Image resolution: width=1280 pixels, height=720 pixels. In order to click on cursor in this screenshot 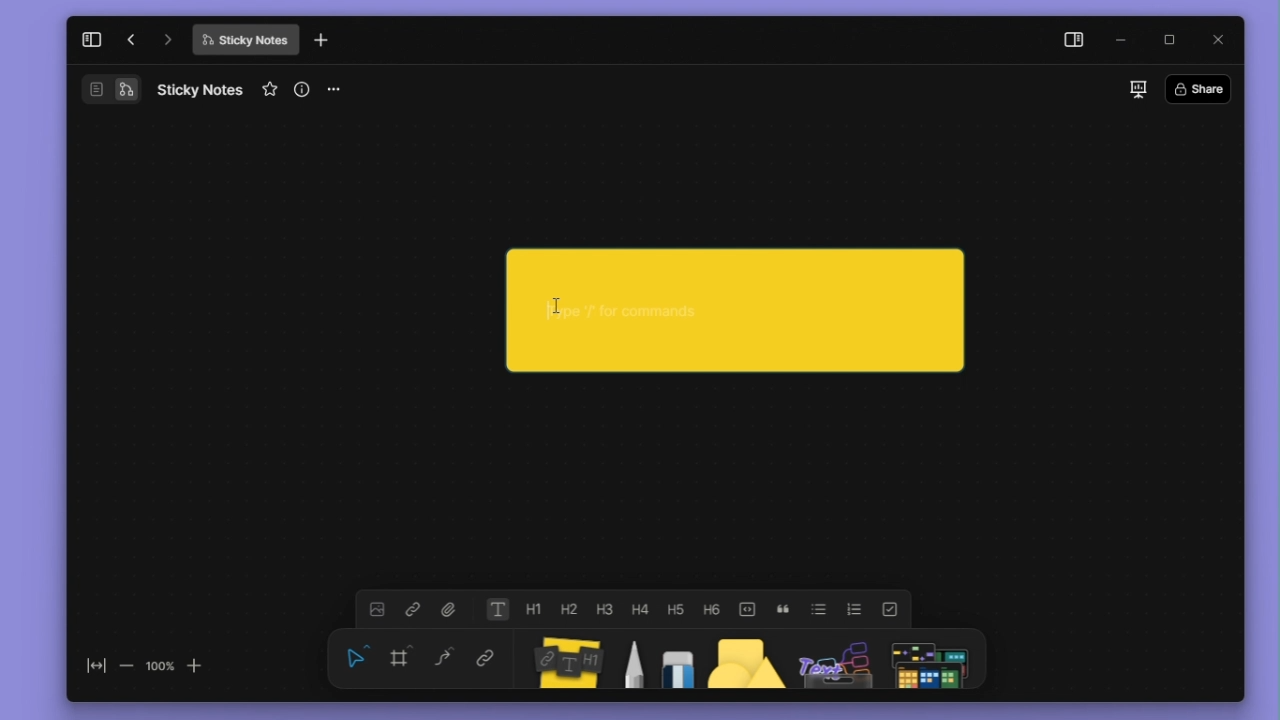, I will do `click(557, 307)`.